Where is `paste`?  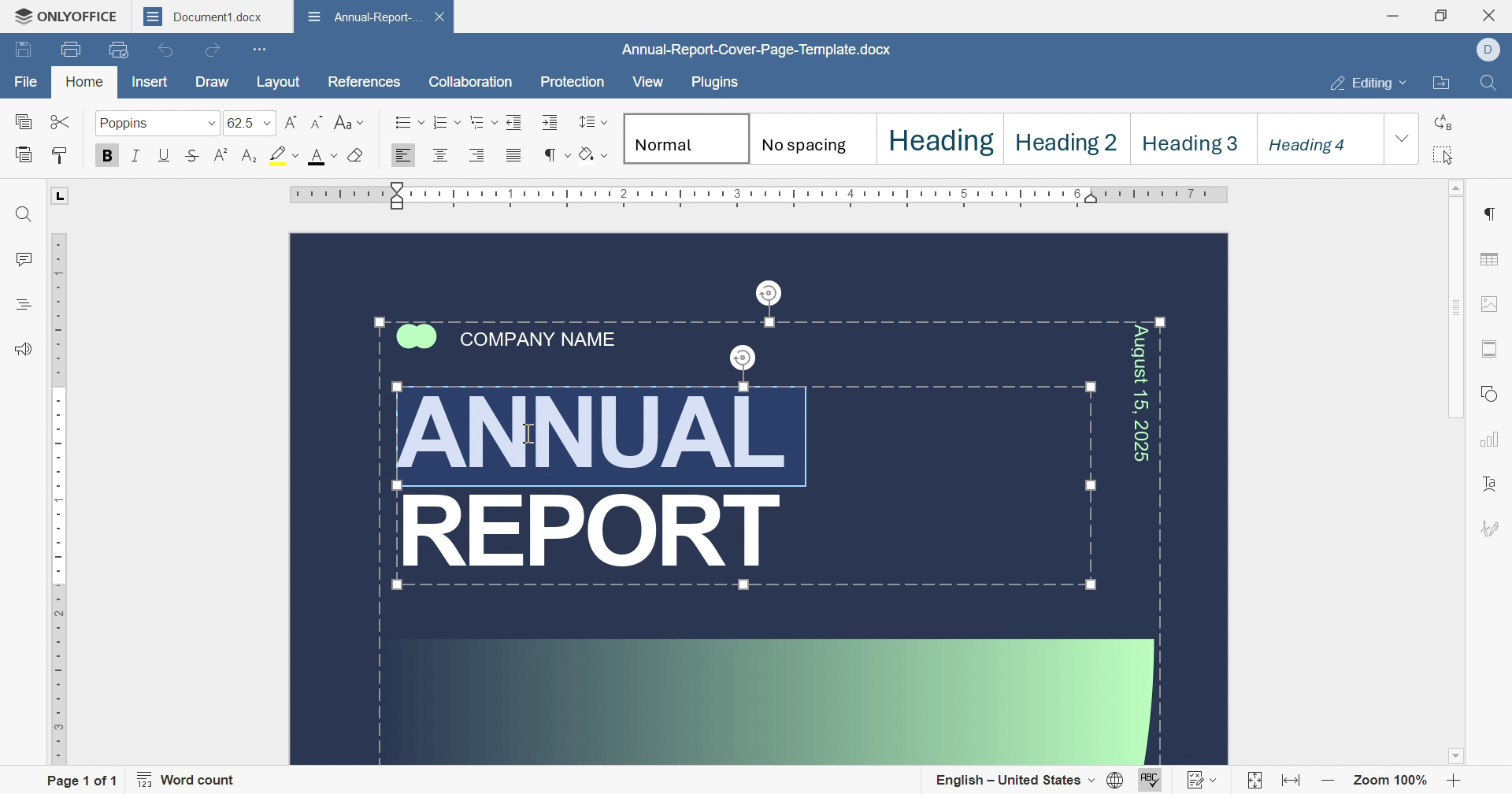
paste is located at coordinates (26, 155).